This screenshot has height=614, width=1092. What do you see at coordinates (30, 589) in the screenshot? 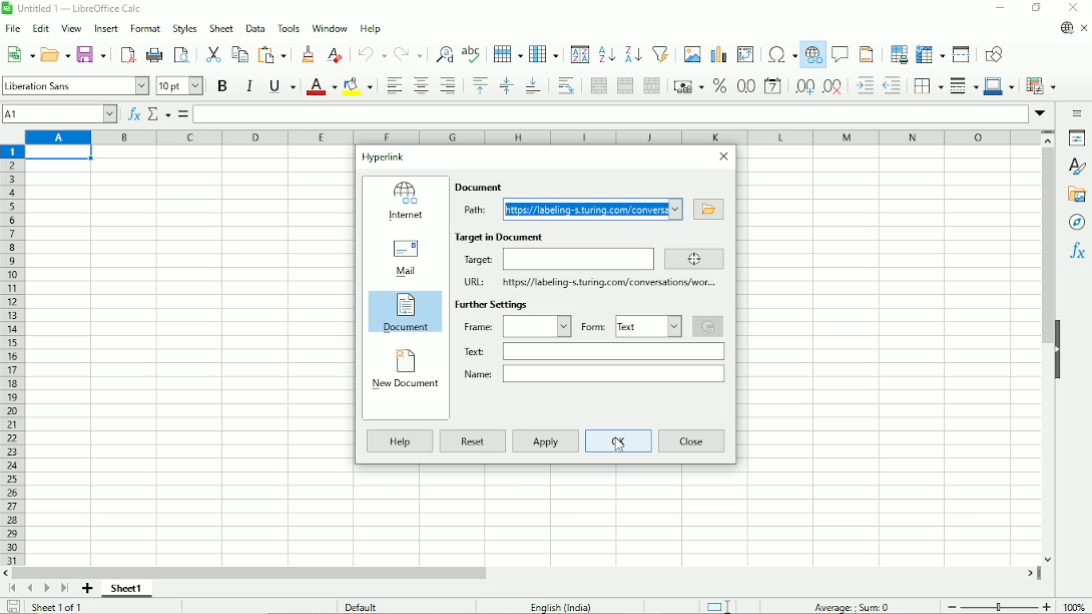
I see `Scroll to previous sheet` at bounding box center [30, 589].